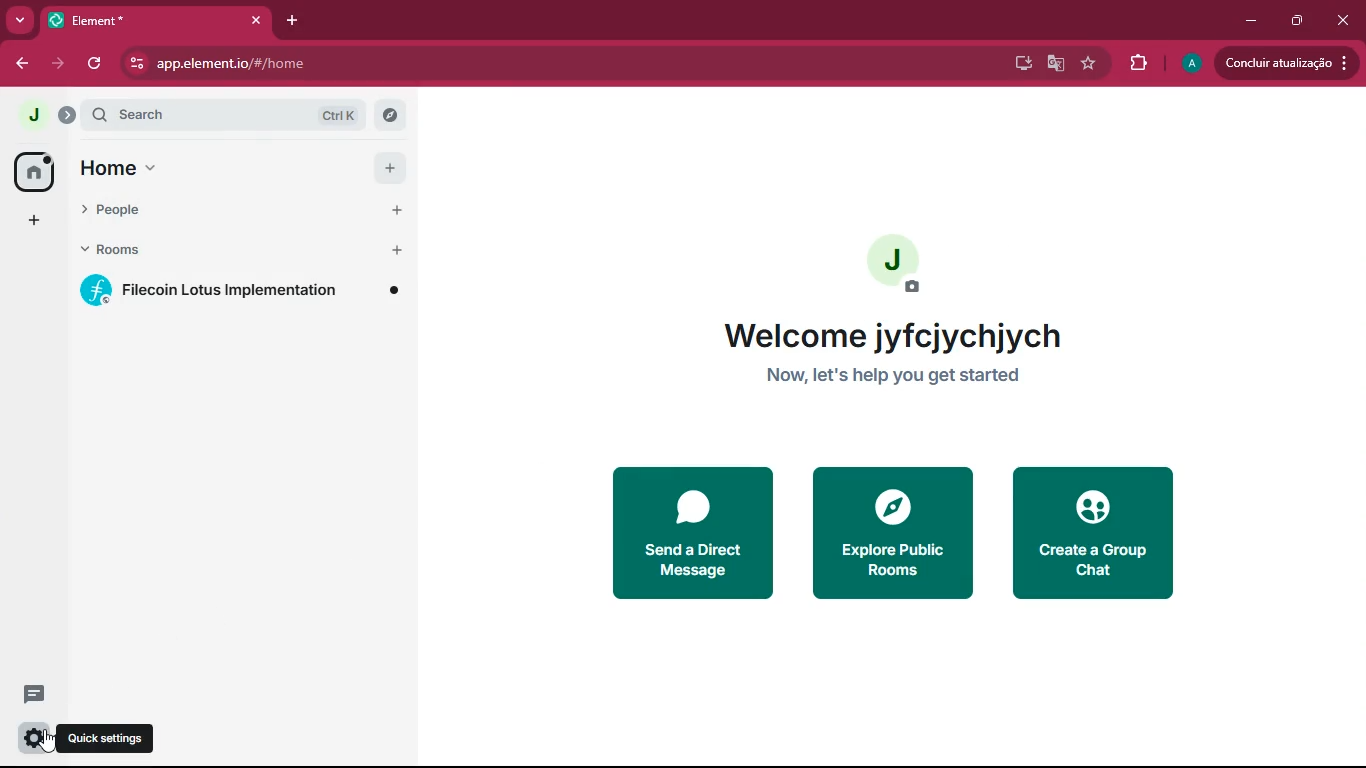 The width and height of the screenshot is (1366, 768). I want to click on add, so click(31, 222).